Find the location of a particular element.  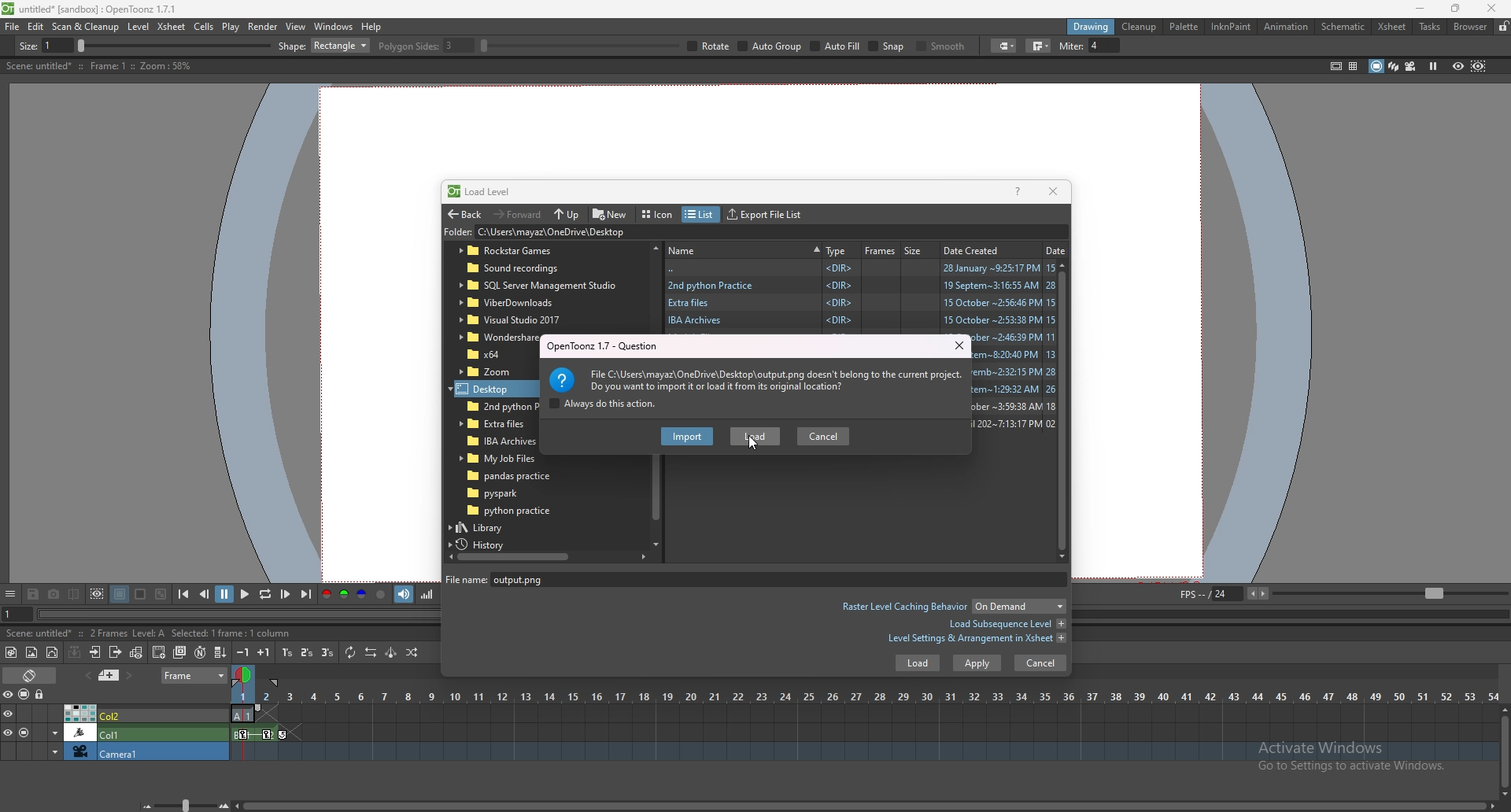

schematic is located at coordinates (1343, 25).